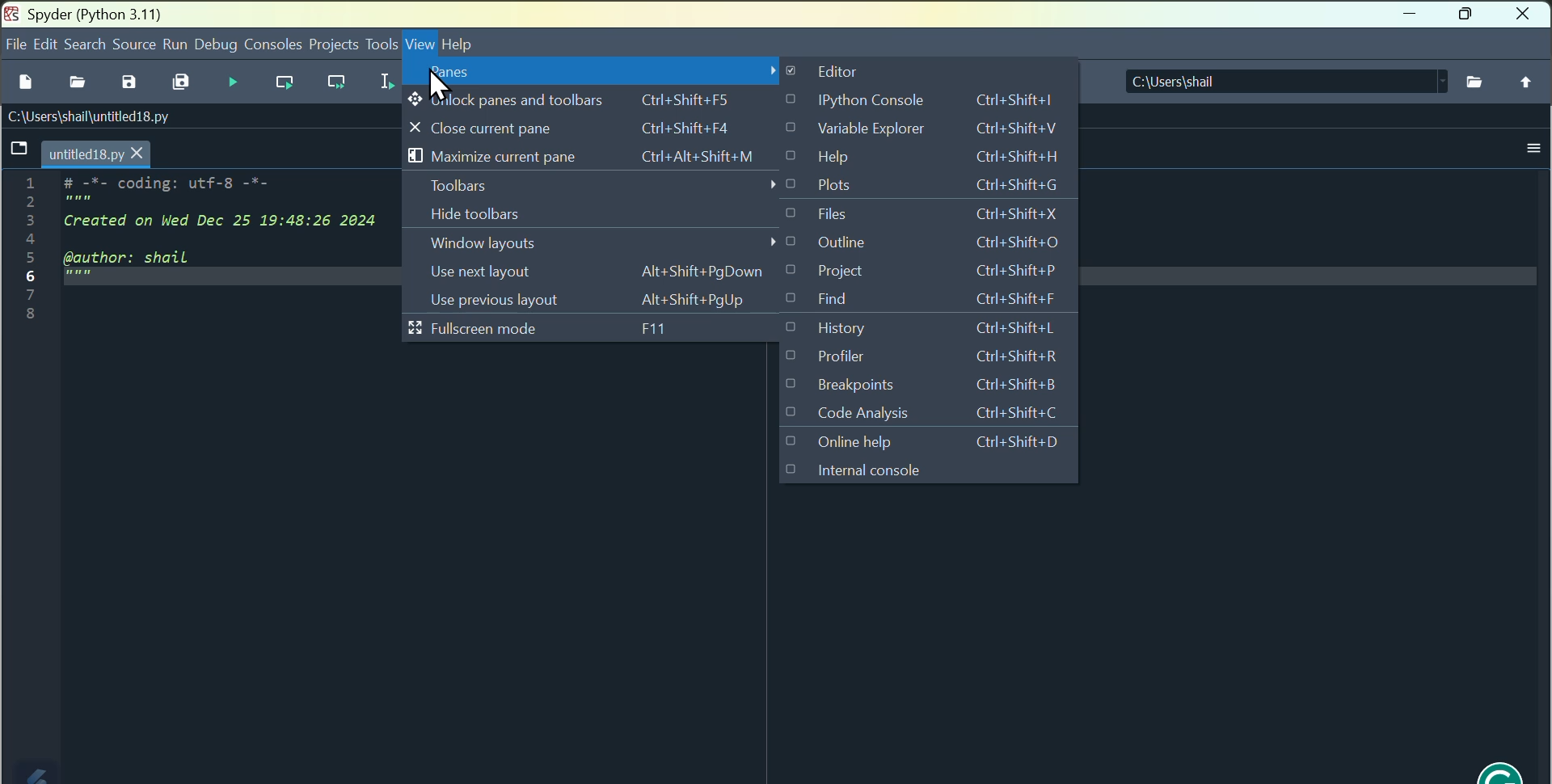 The image size is (1552, 784). Describe the element at coordinates (927, 441) in the screenshot. I see `Online help` at that location.